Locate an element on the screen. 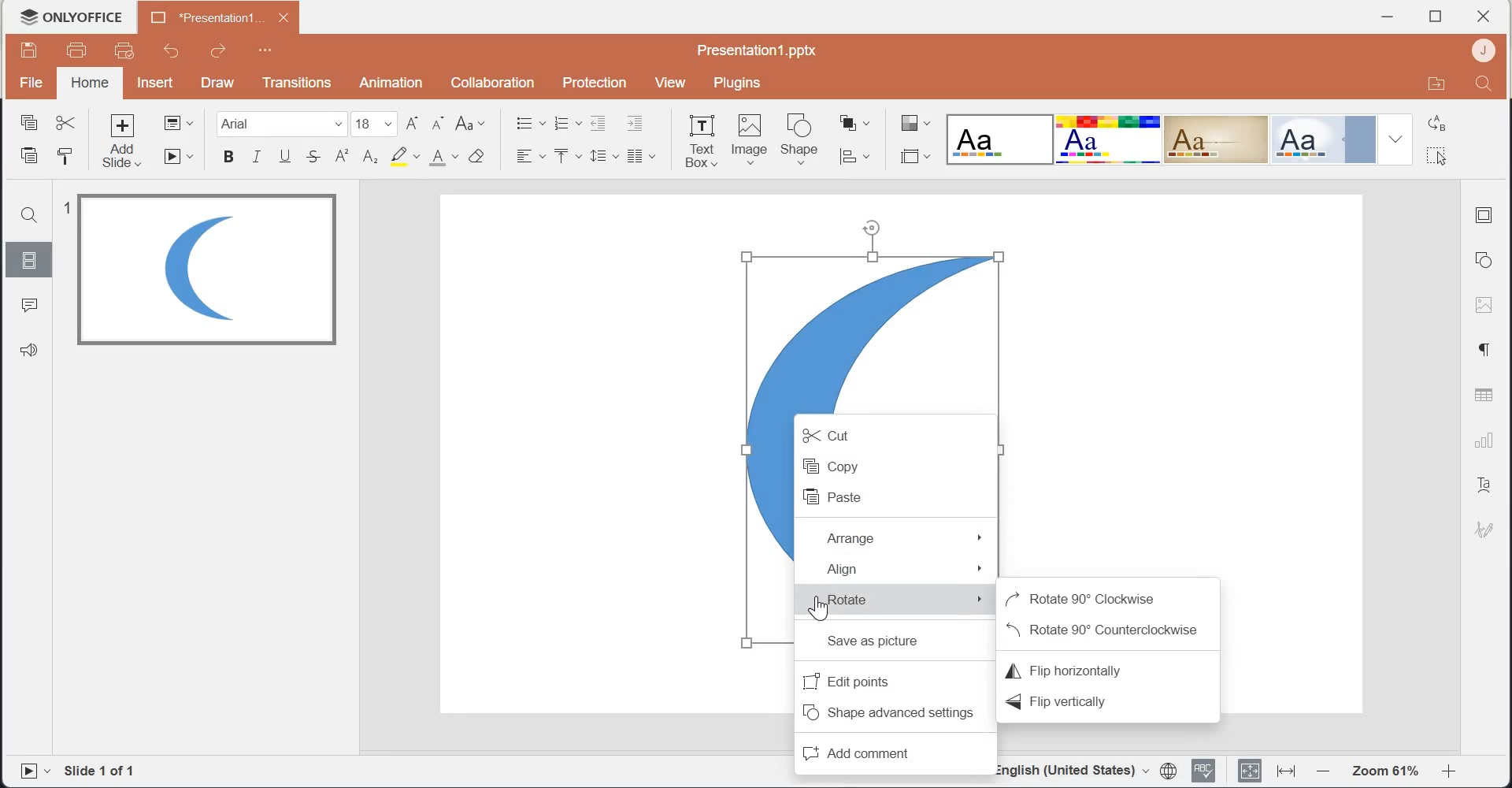 The image size is (1512, 788). Italic is located at coordinates (258, 157).